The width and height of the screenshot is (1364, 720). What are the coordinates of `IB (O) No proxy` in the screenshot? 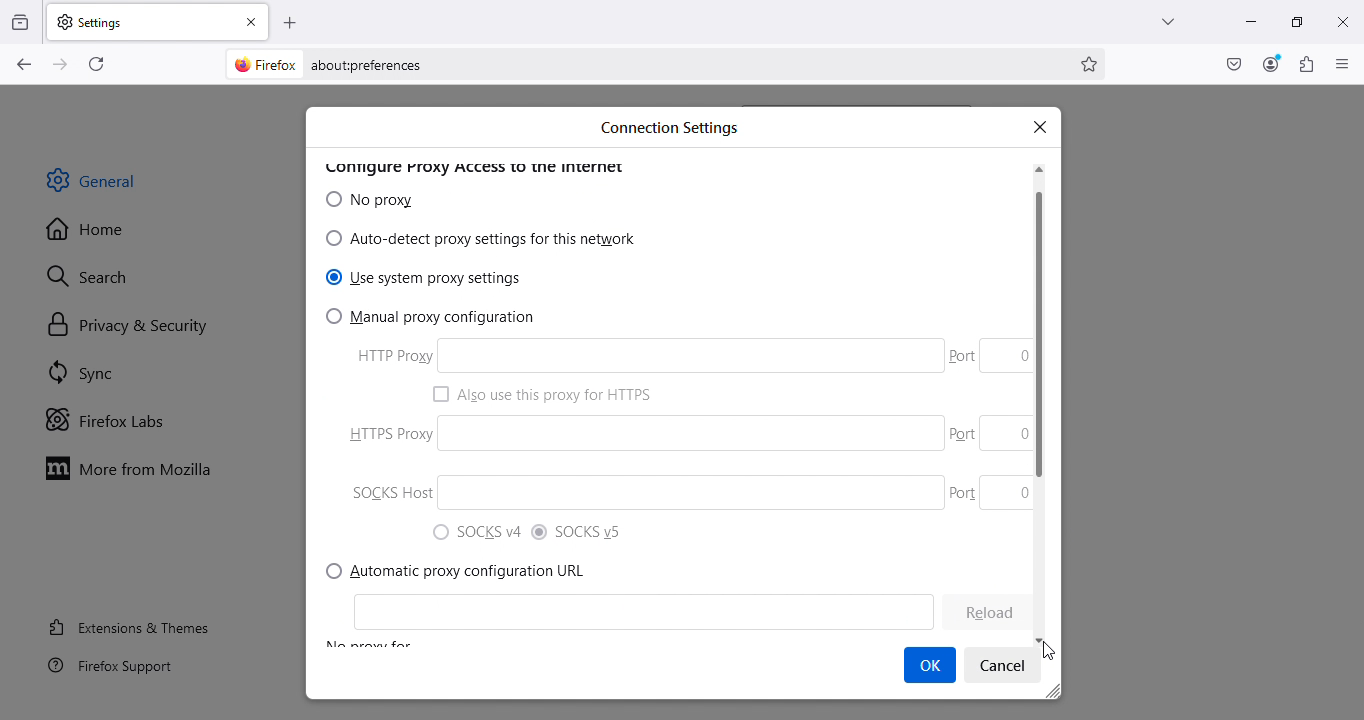 It's located at (388, 197).